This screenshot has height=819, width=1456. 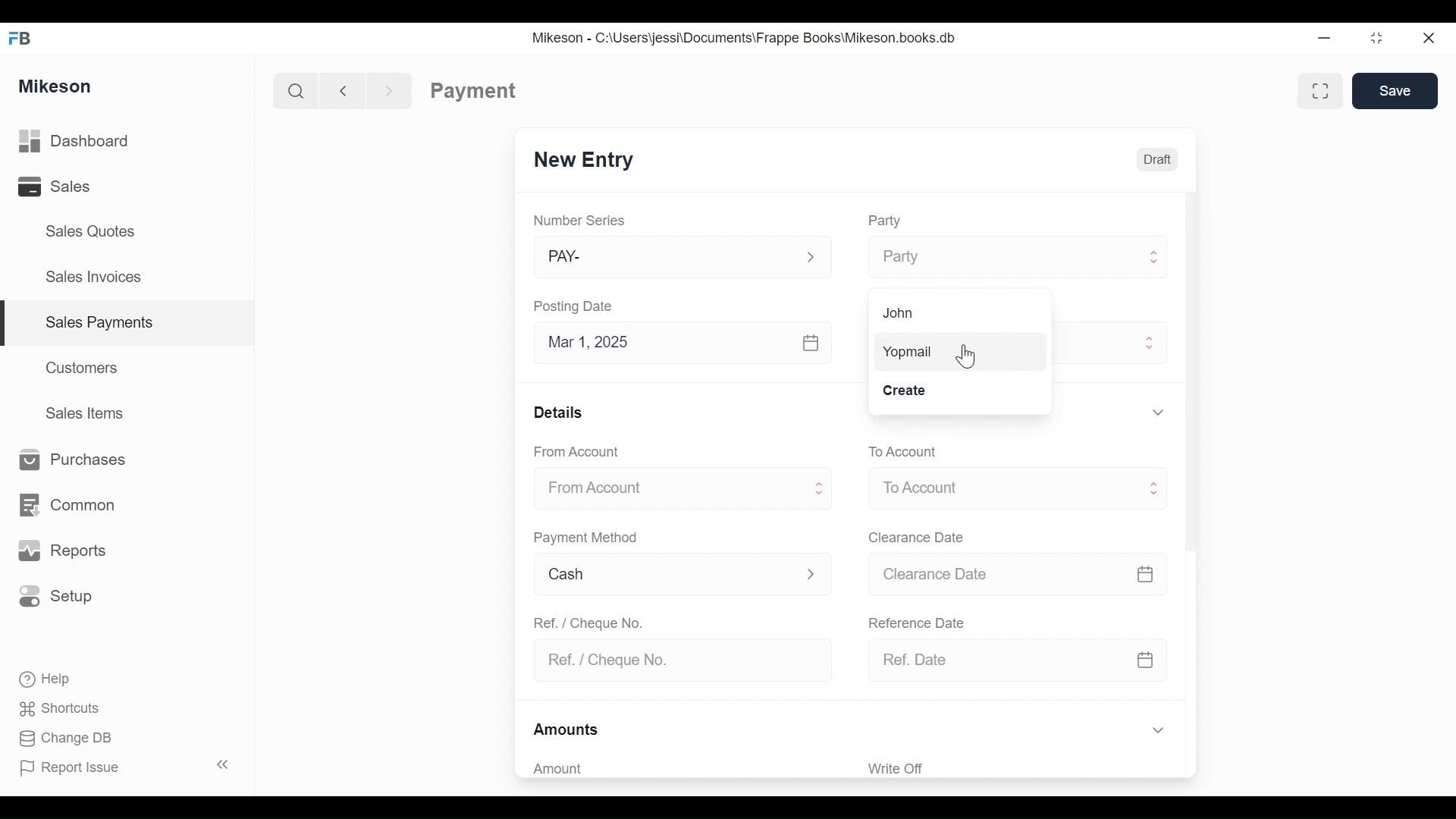 I want to click on Clearance date, so click(x=921, y=536).